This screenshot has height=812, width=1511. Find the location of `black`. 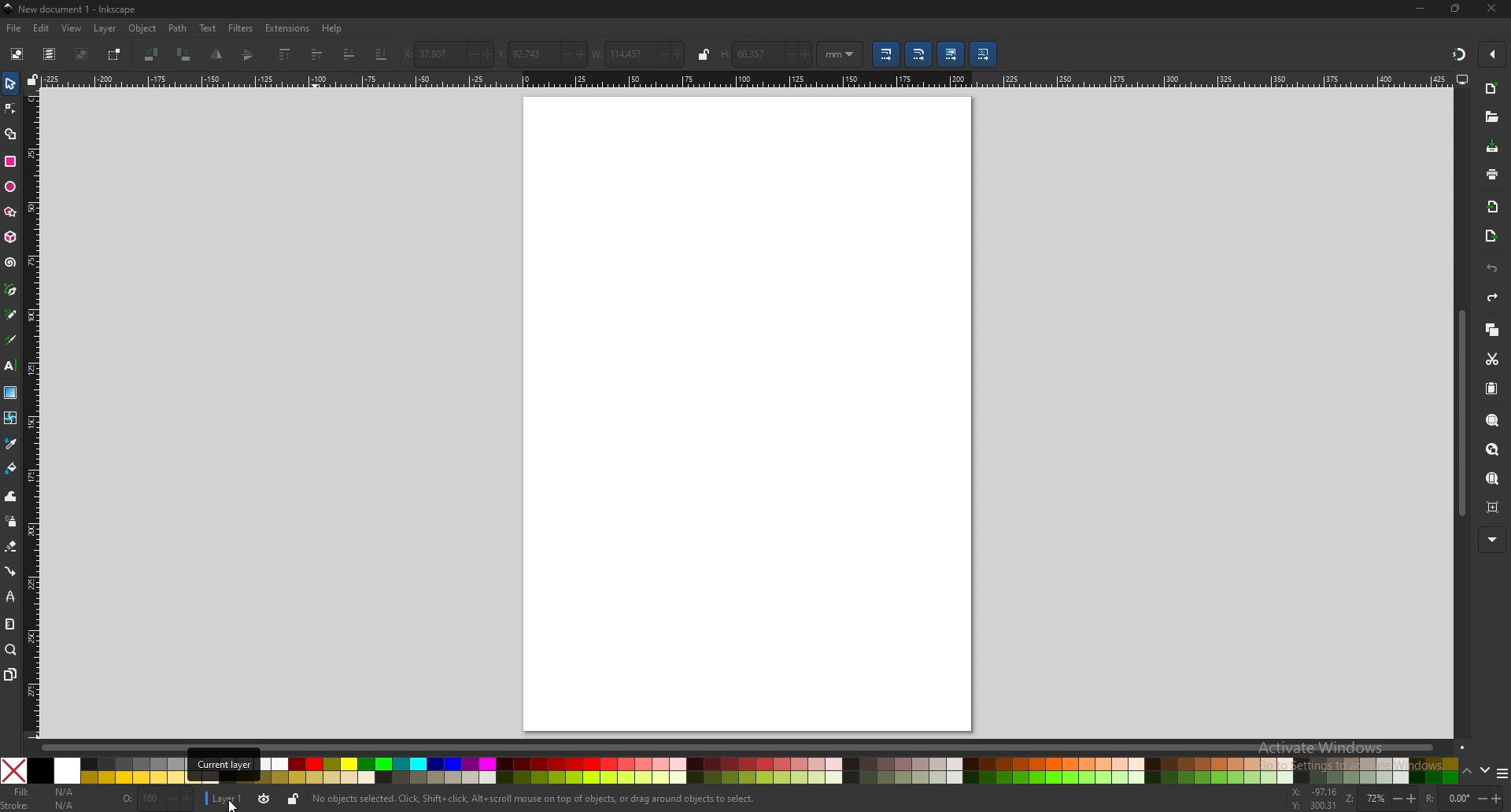

black is located at coordinates (40, 770).